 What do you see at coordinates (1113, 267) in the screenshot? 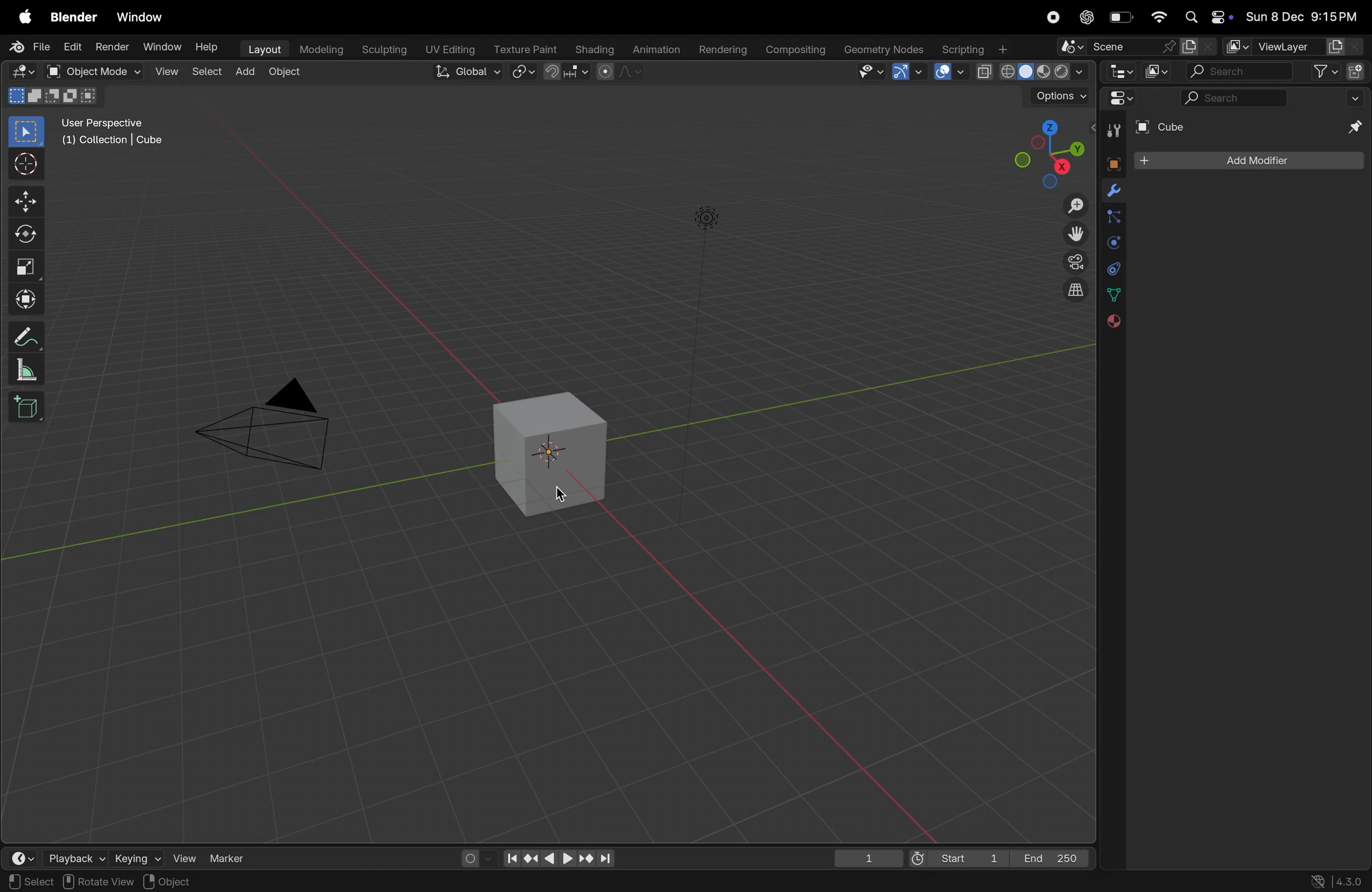
I see `constraints` at bounding box center [1113, 267].